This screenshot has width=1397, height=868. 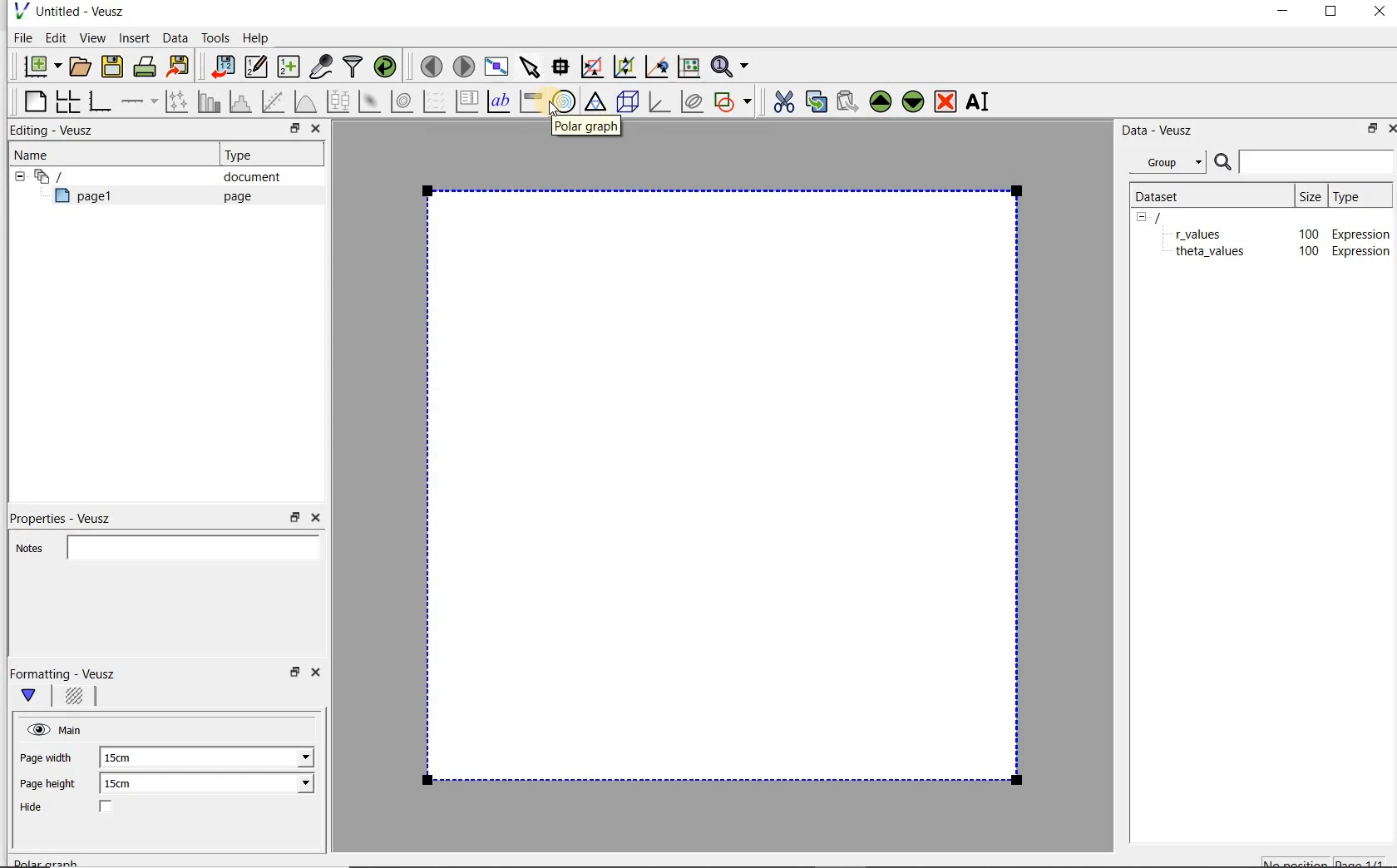 What do you see at coordinates (99, 102) in the screenshot?
I see `base graph` at bounding box center [99, 102].